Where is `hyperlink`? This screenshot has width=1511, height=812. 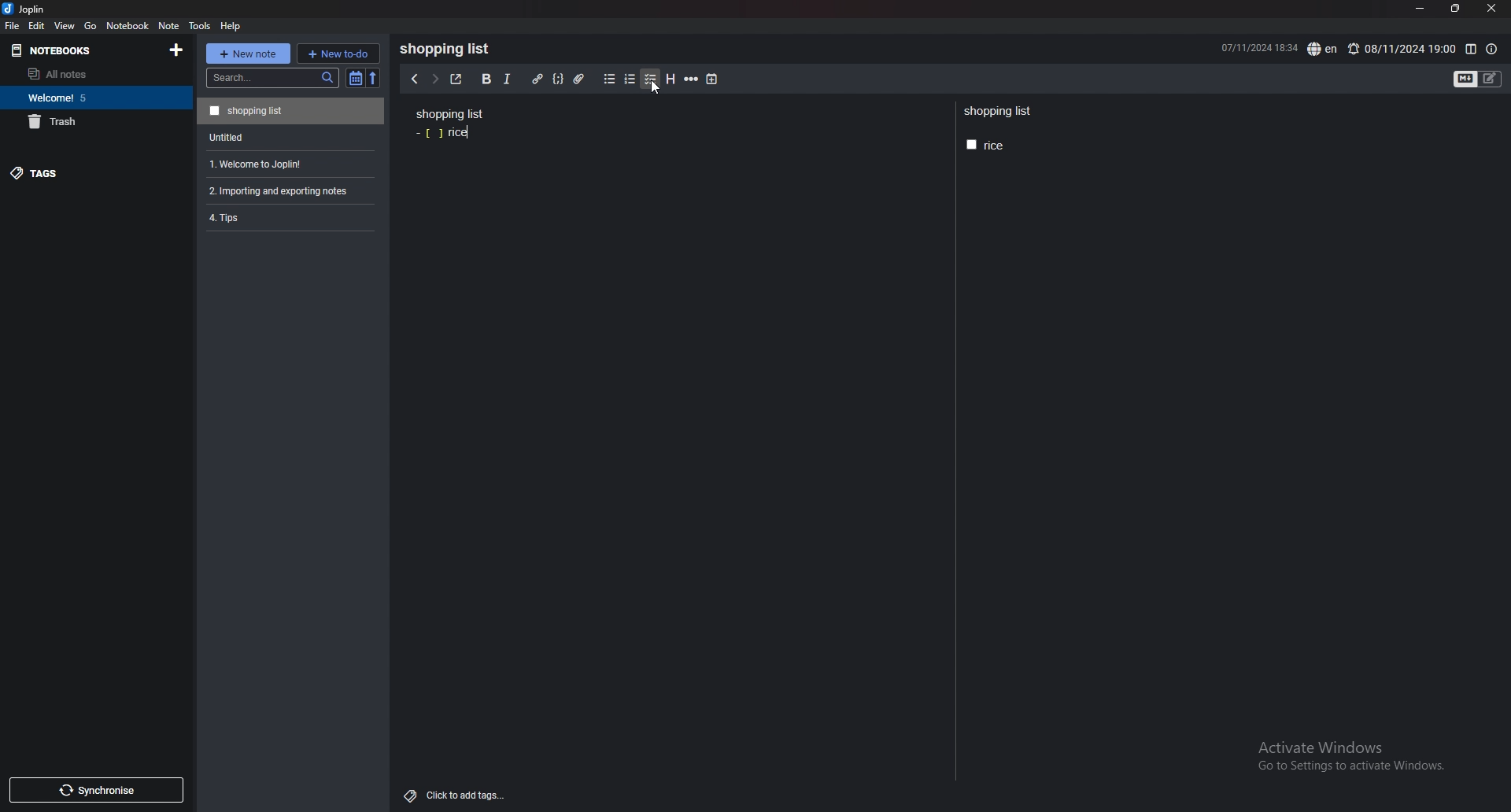
hyperlink is located at coordinates (538, 79).